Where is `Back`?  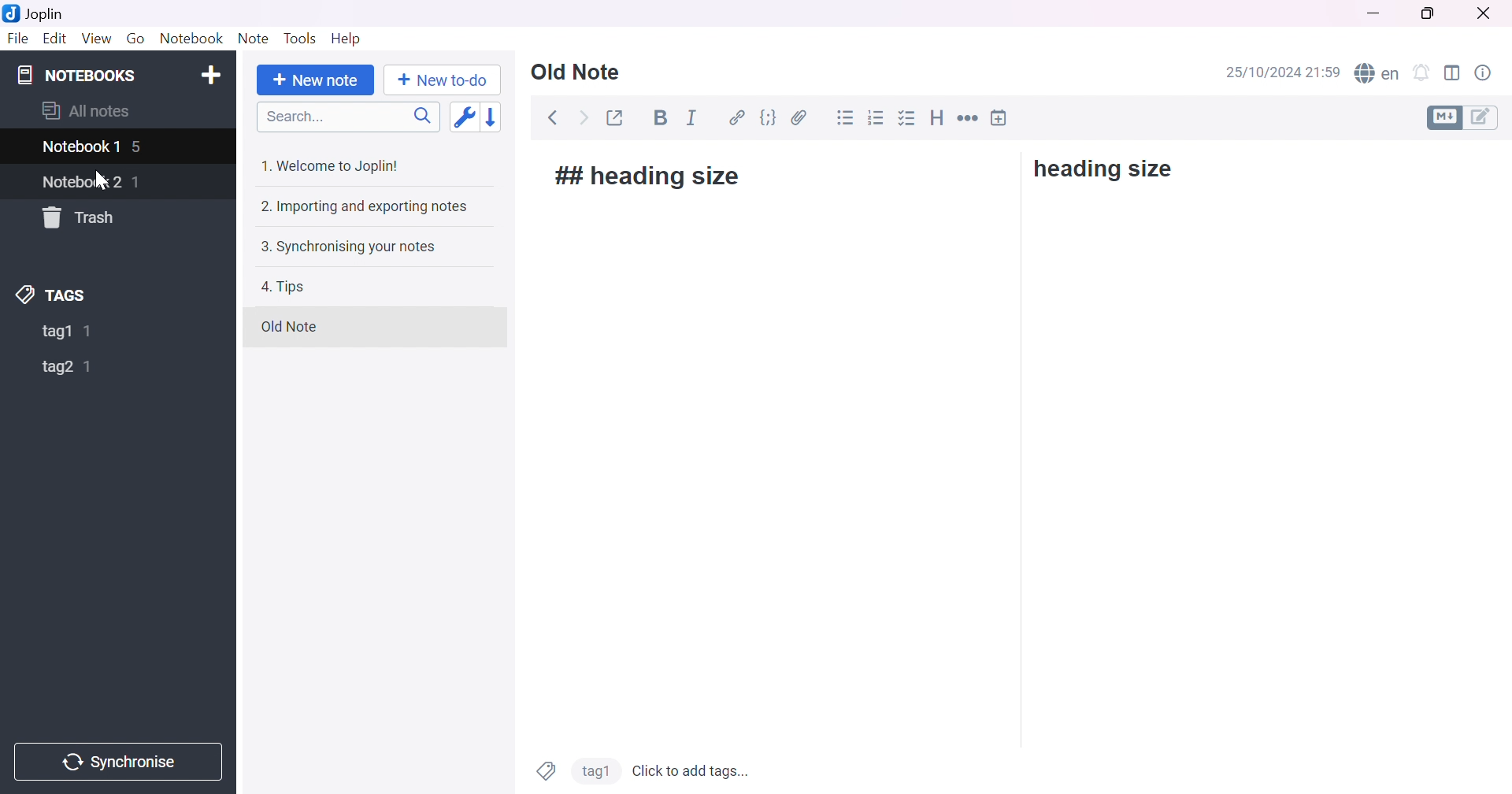 Back is located at coordinates (552, 118).